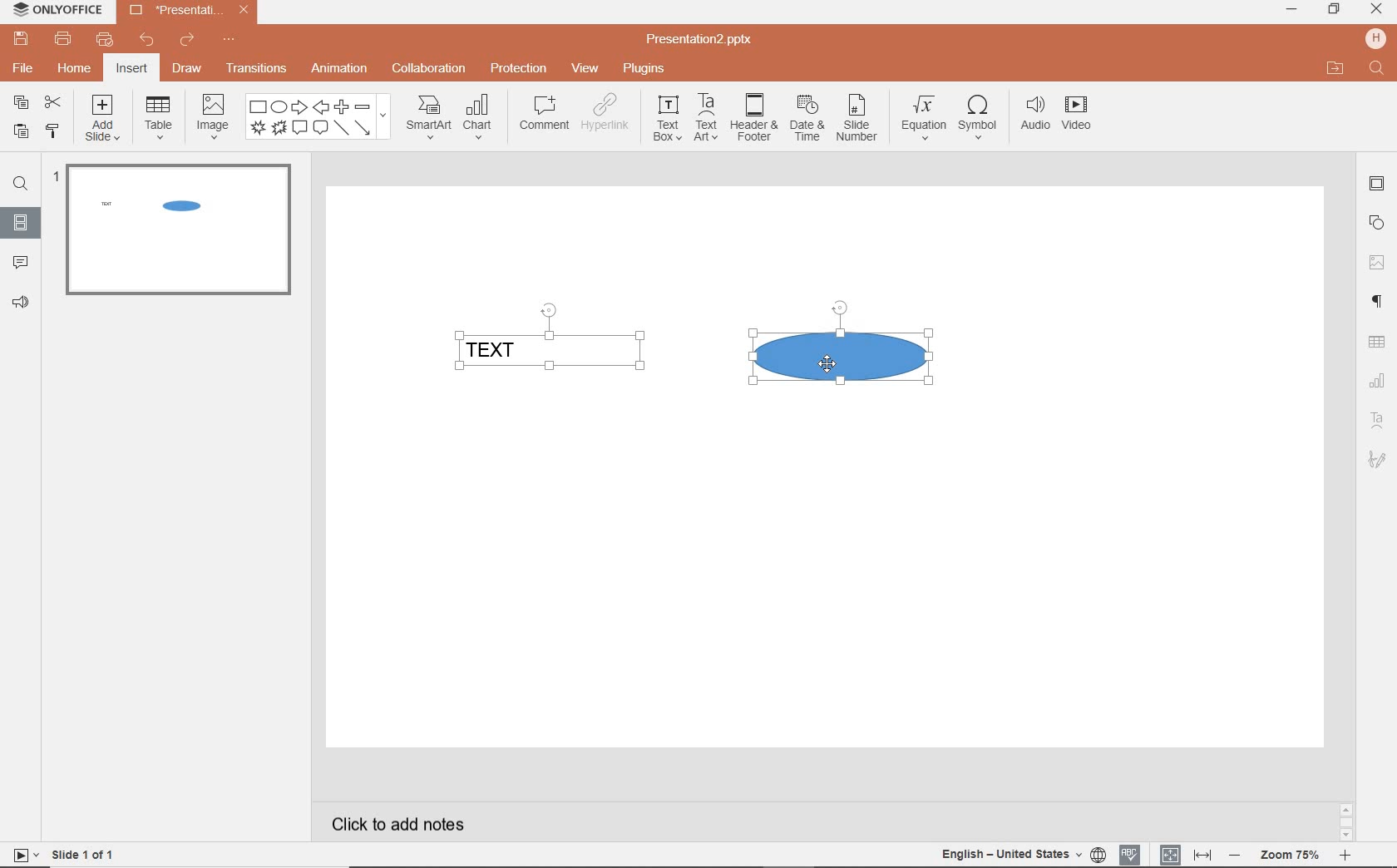 This screenshot has height=868, width=1397. What do you see at coordinates (1375, 461) in the screenshot?
I see `TEXT ART` at bounding box center [1375, 461].